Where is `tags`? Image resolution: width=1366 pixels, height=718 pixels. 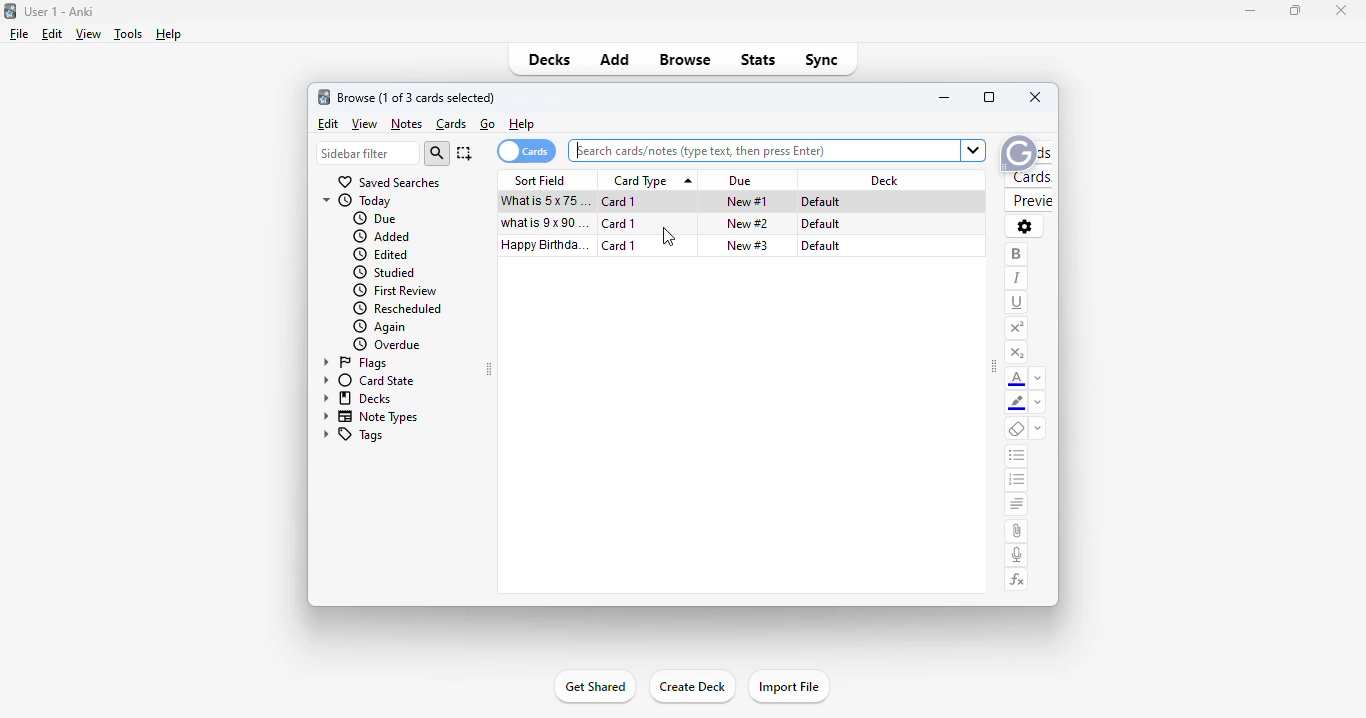
tags is located at coordinates (352, 435).